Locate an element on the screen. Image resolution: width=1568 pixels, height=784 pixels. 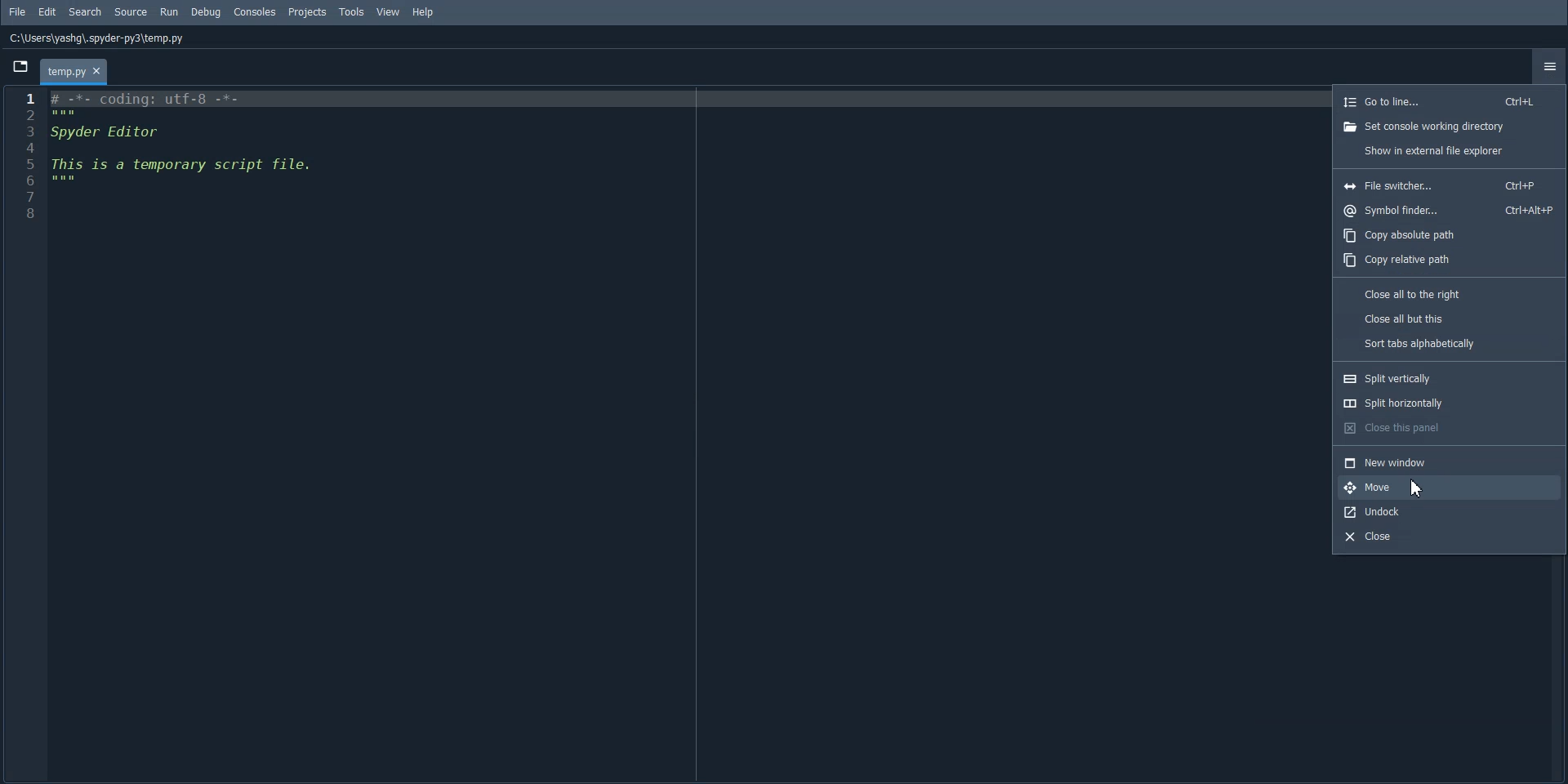
Move is located at coordinates (1445, 486).